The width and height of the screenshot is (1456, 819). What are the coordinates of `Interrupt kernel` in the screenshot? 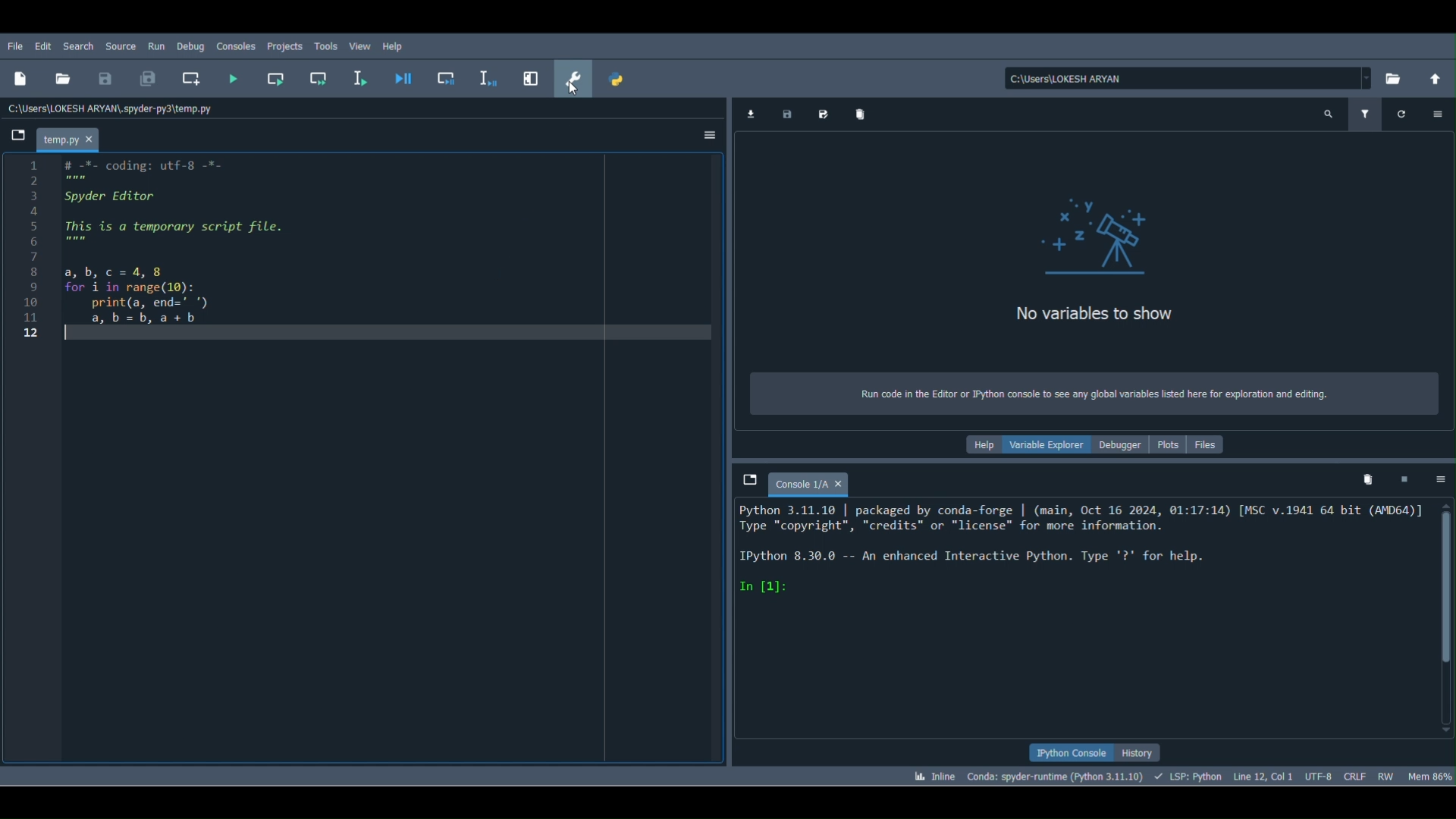 It's located at (1410, 479).